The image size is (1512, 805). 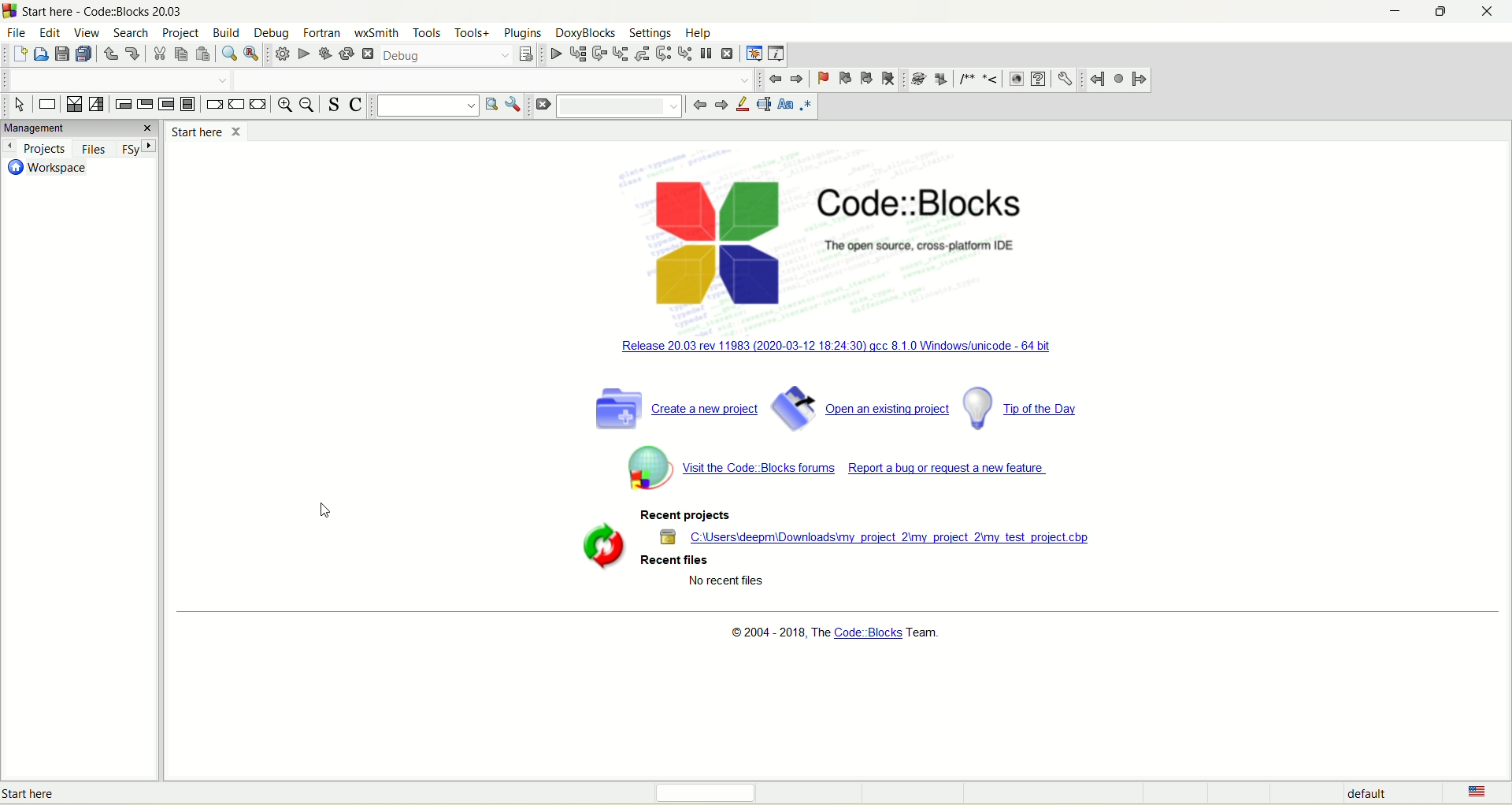 What do you see at coordinates (806, 106) in the screenshot?
I see `regex` at bounding box center [806, 106].